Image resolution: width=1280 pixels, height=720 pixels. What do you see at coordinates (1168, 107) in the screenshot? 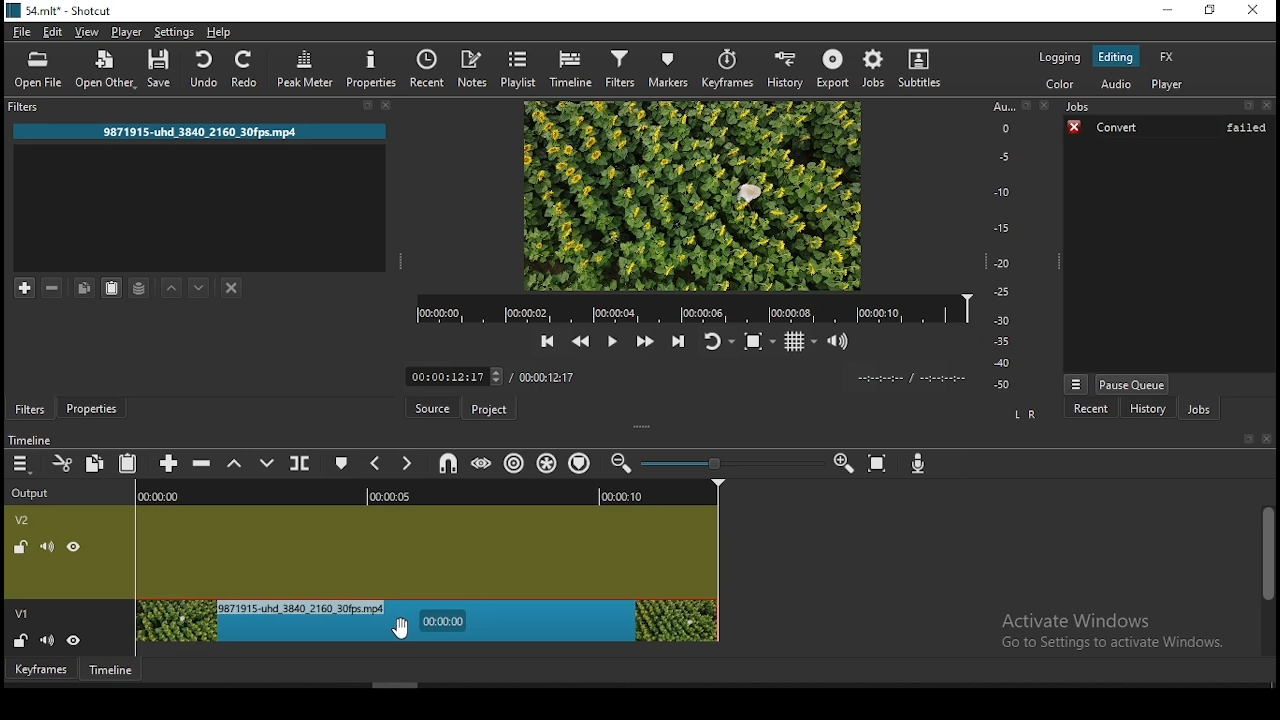
I see `Jobs` at bounding box center [1168, 107].